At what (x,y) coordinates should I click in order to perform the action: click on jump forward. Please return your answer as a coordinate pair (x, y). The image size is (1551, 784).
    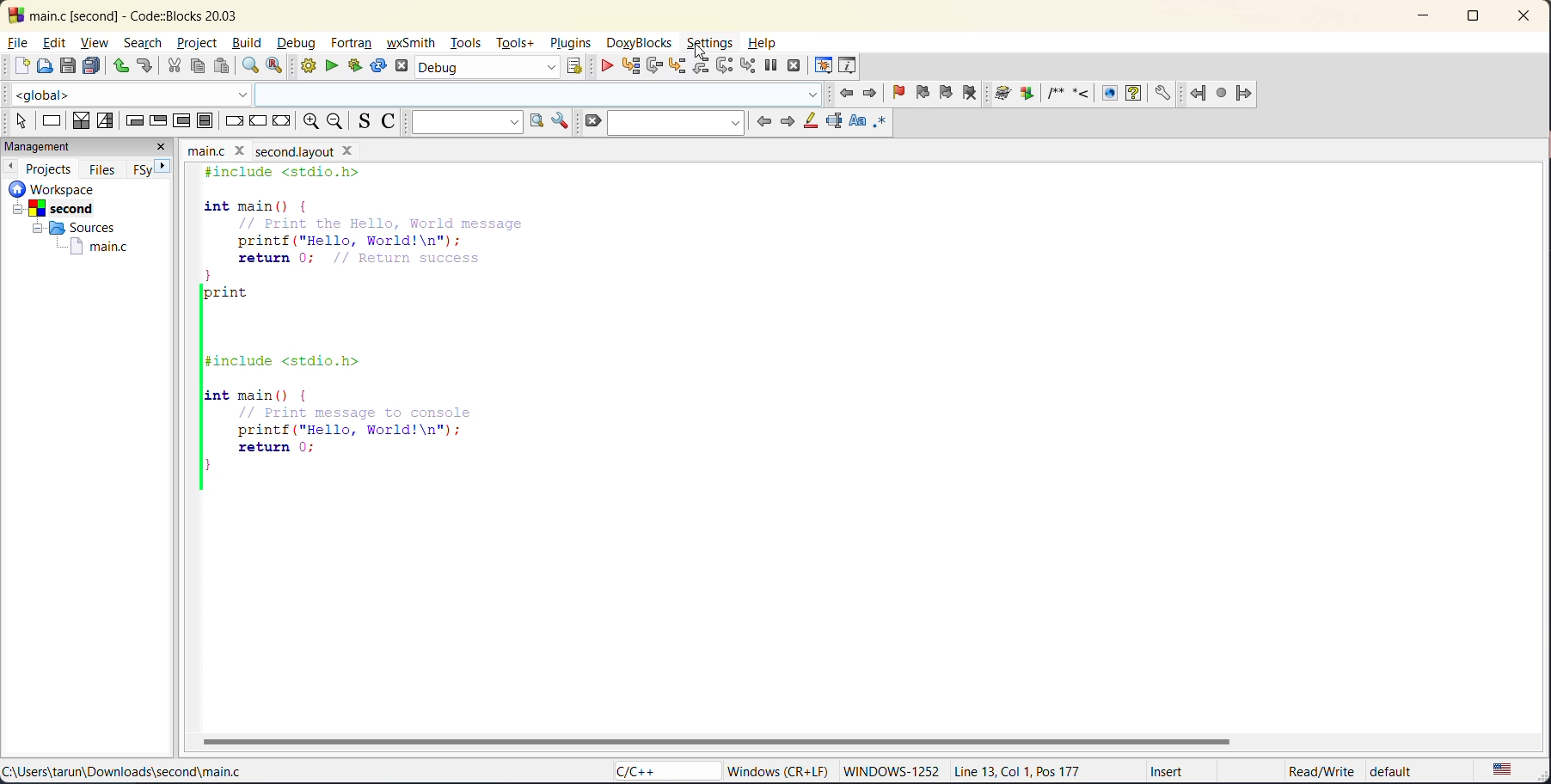
    Looking at the image, I should click on (1248, 94).